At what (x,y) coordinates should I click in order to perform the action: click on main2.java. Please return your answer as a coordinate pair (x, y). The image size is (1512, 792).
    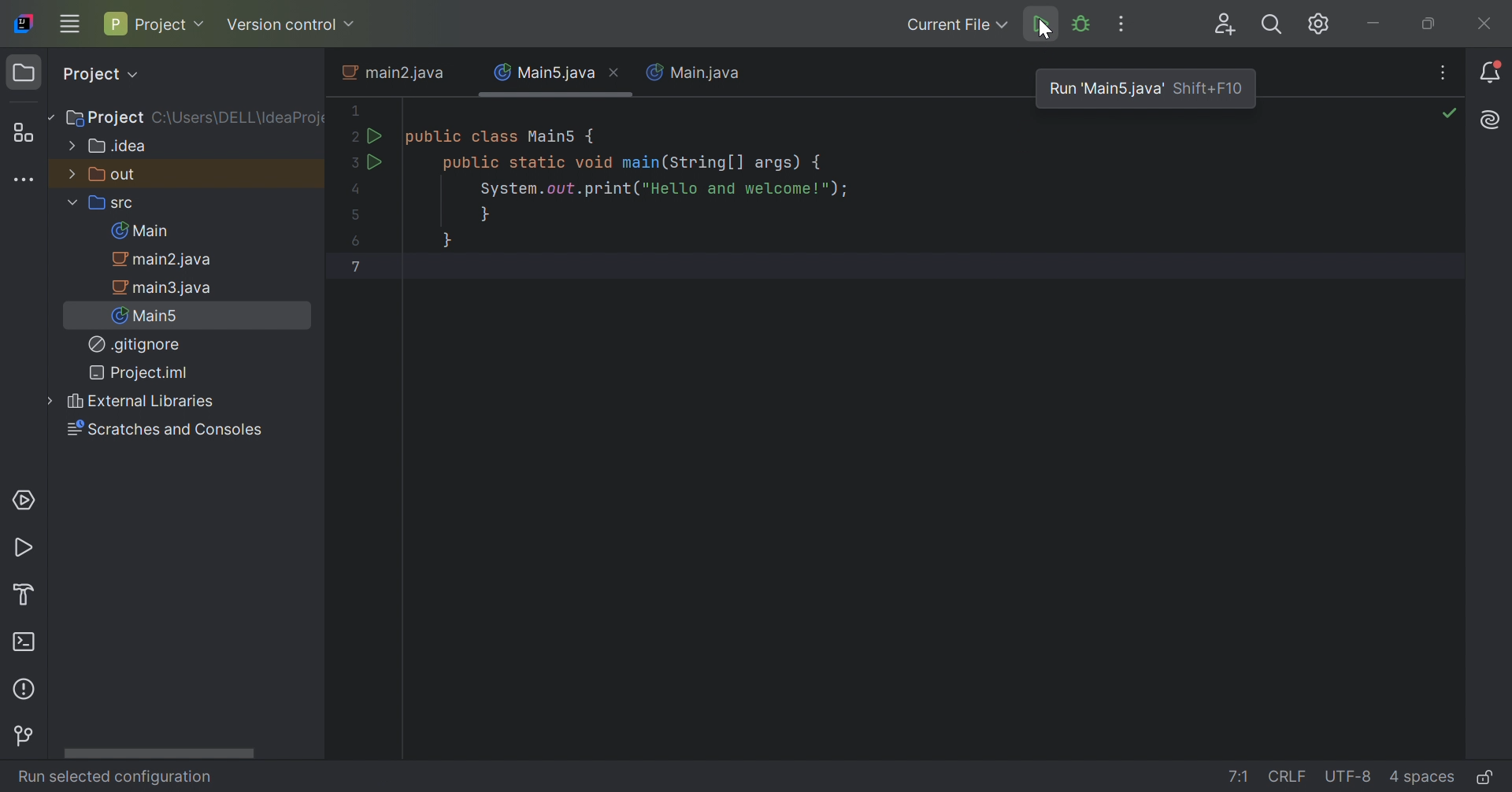
    Looking at the image, I should click on (163, 261).